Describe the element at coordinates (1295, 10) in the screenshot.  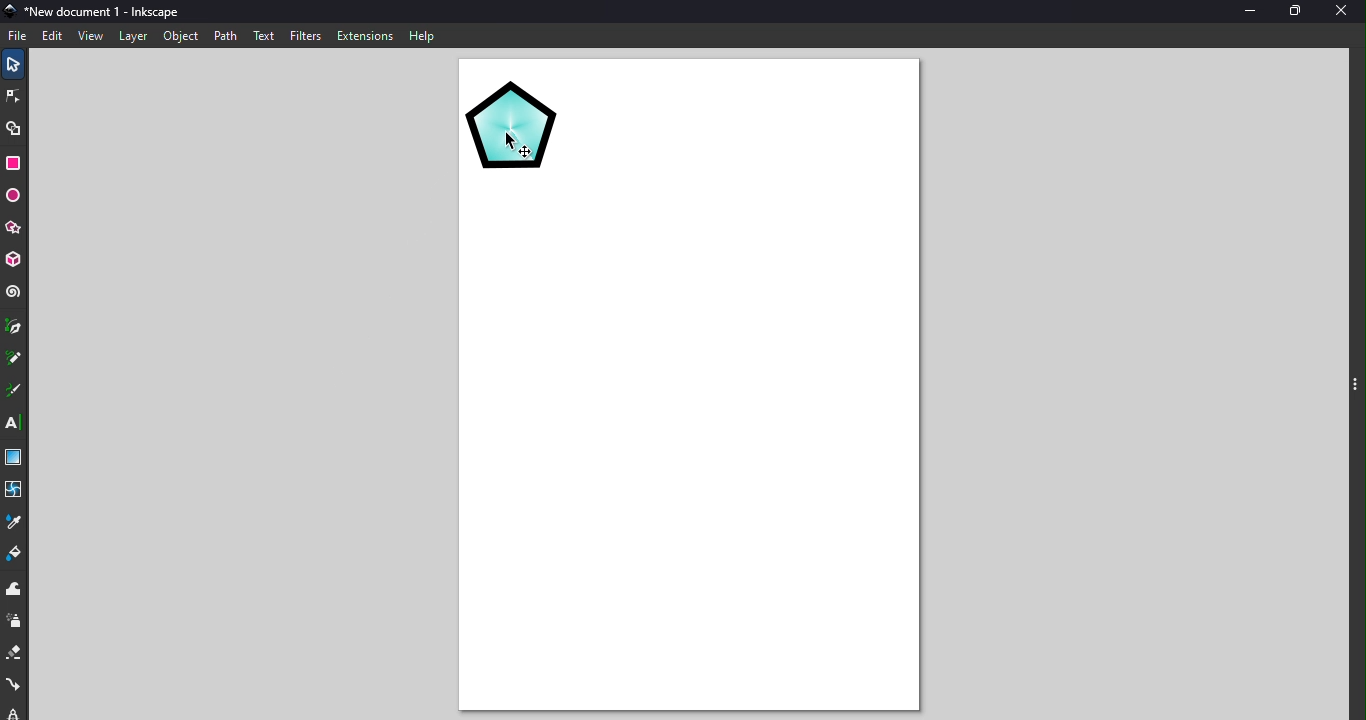
I see `Maximize` at that location.